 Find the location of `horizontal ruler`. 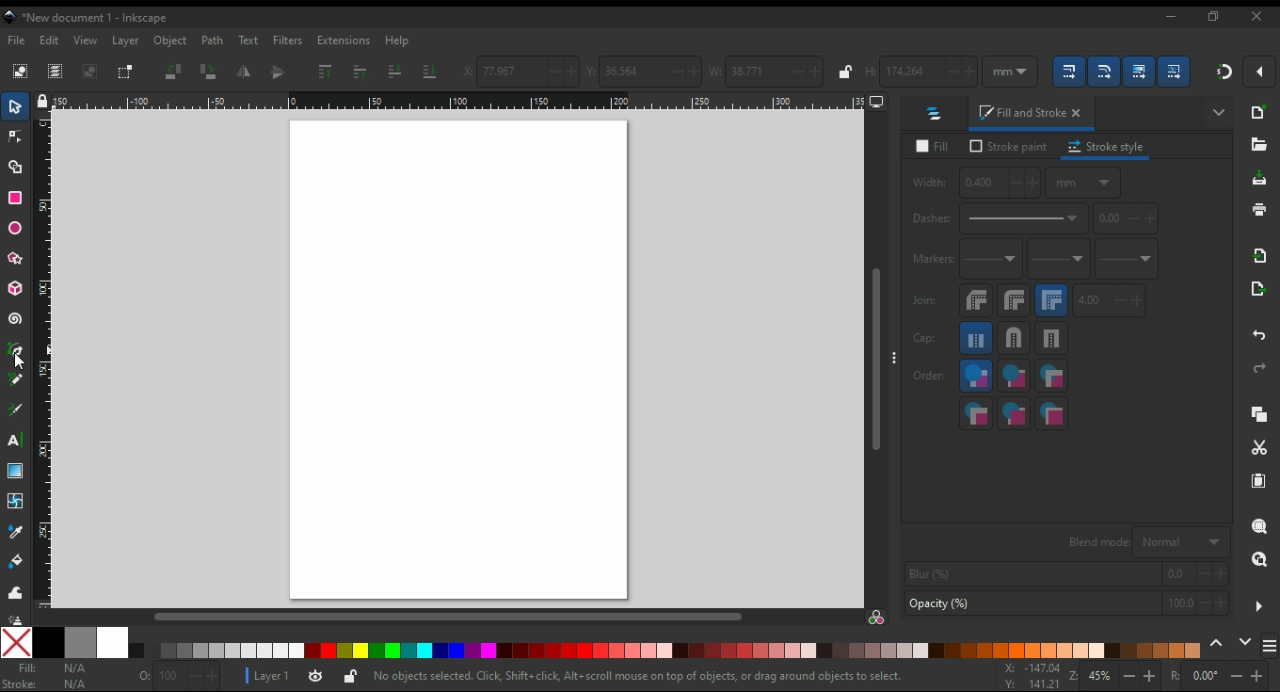

horizontal ruler is located at coordinates (461, 102).